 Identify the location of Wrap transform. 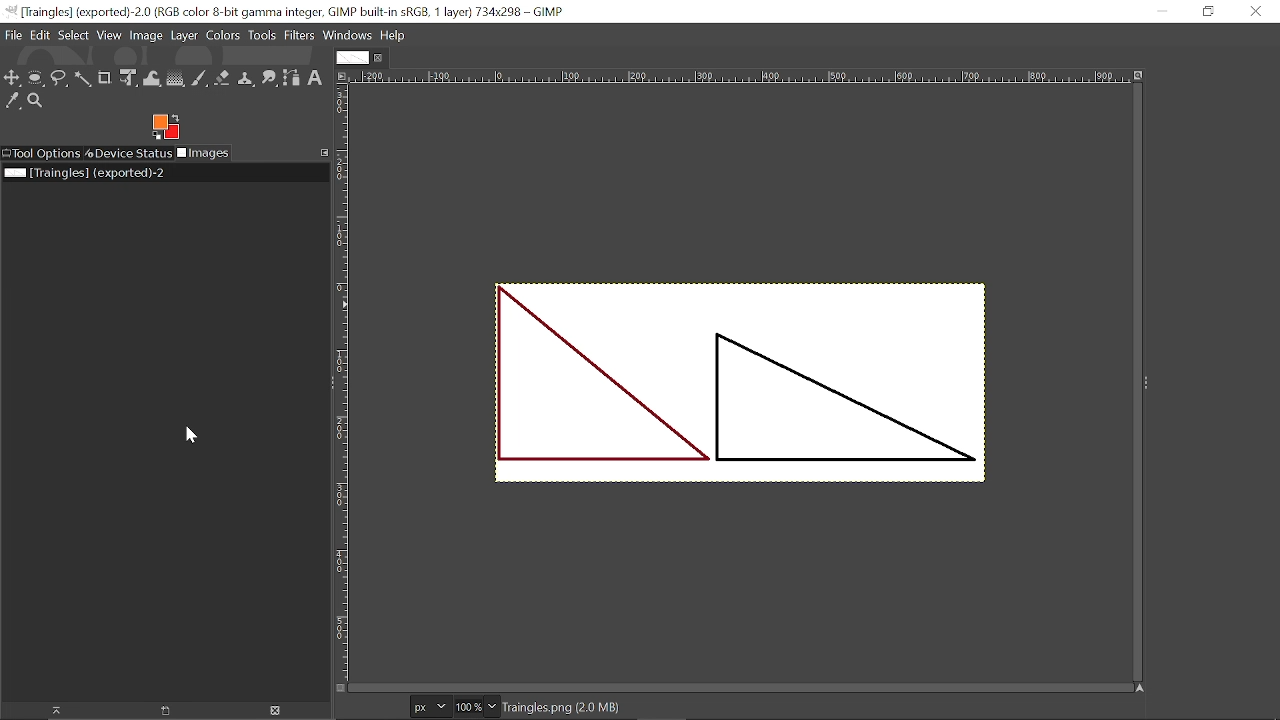
(153, 79).